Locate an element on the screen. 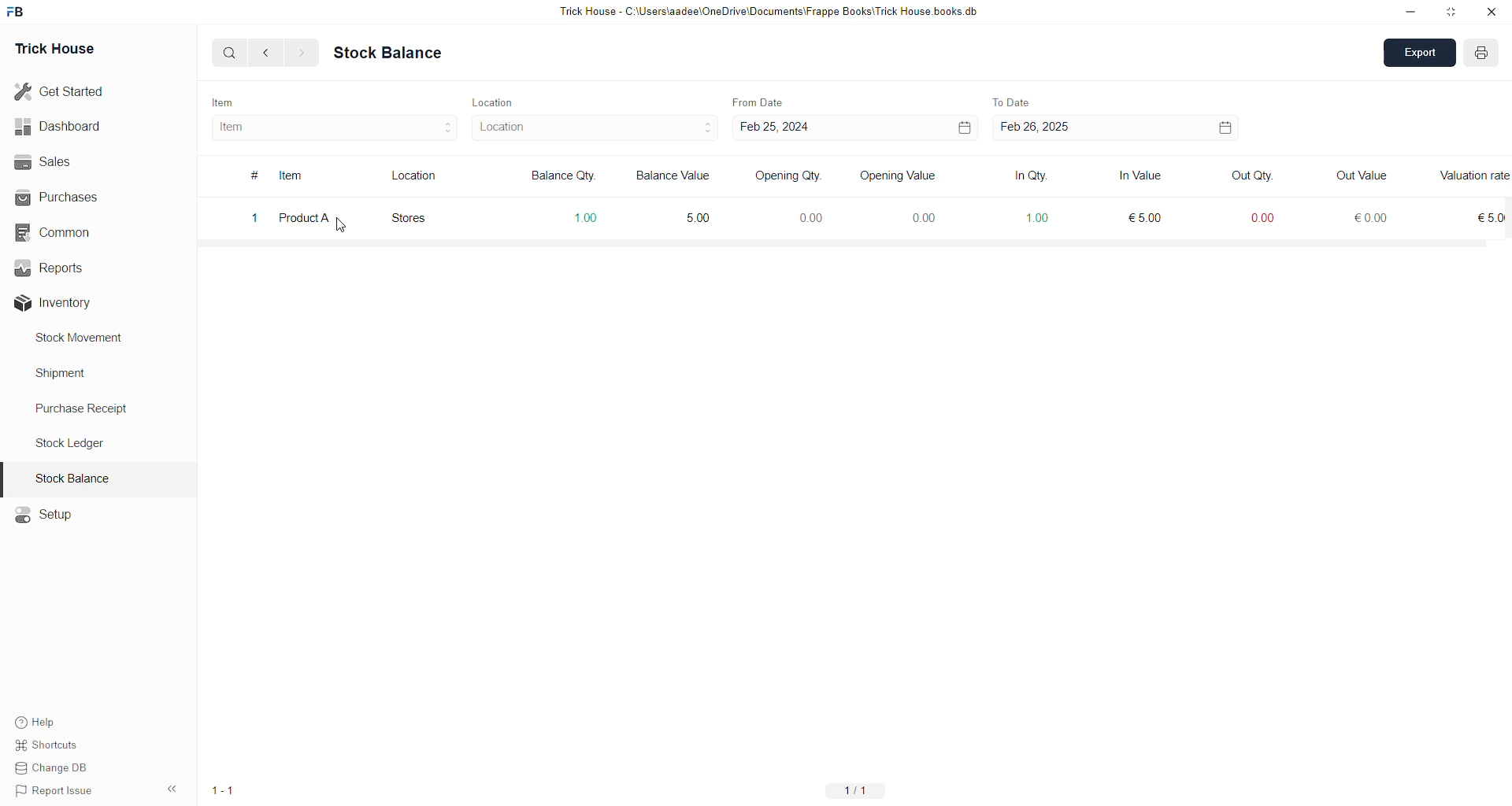  5.00 is located at coordinates (692, 218).